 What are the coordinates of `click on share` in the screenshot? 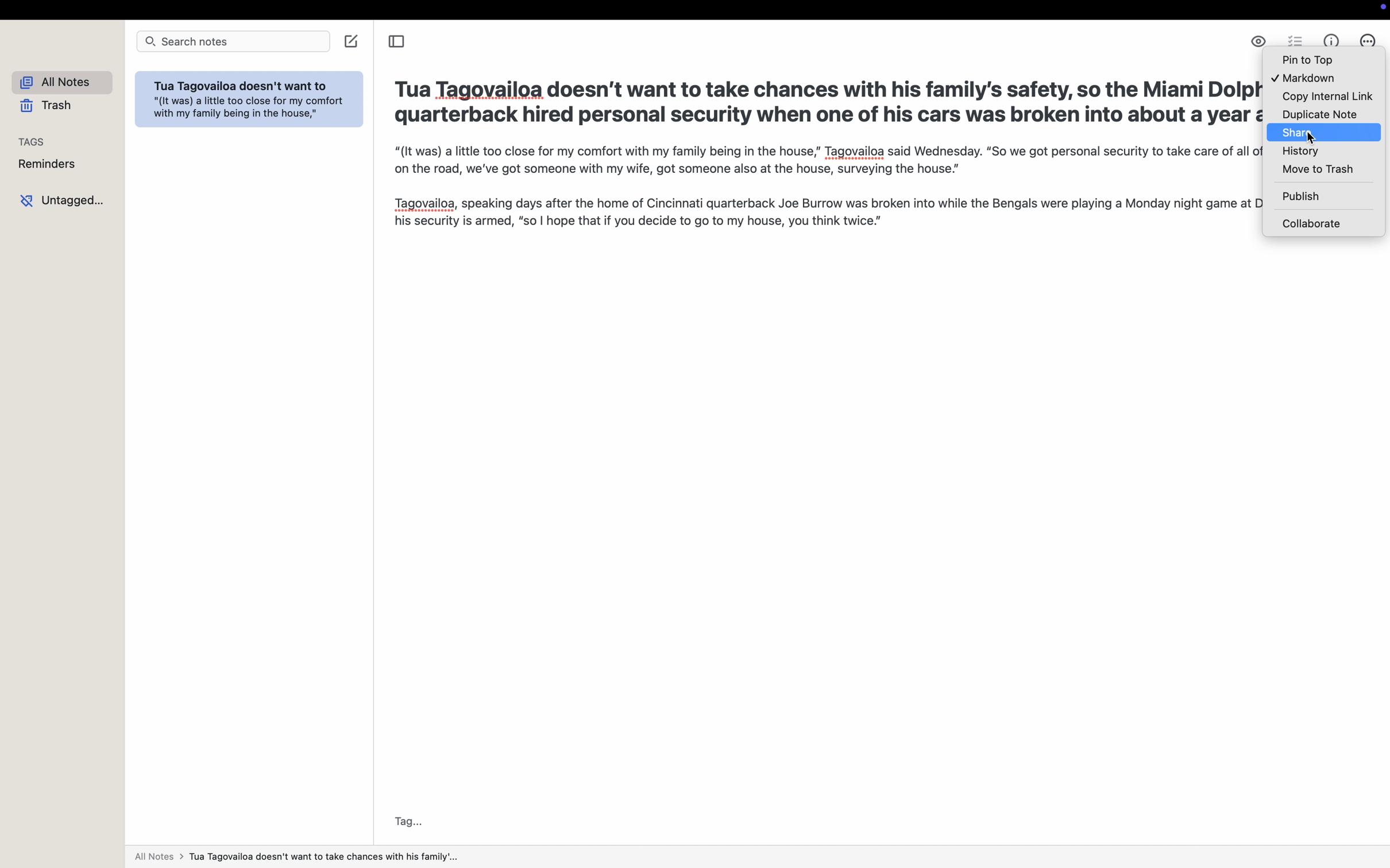 It's located at (1323, 133).